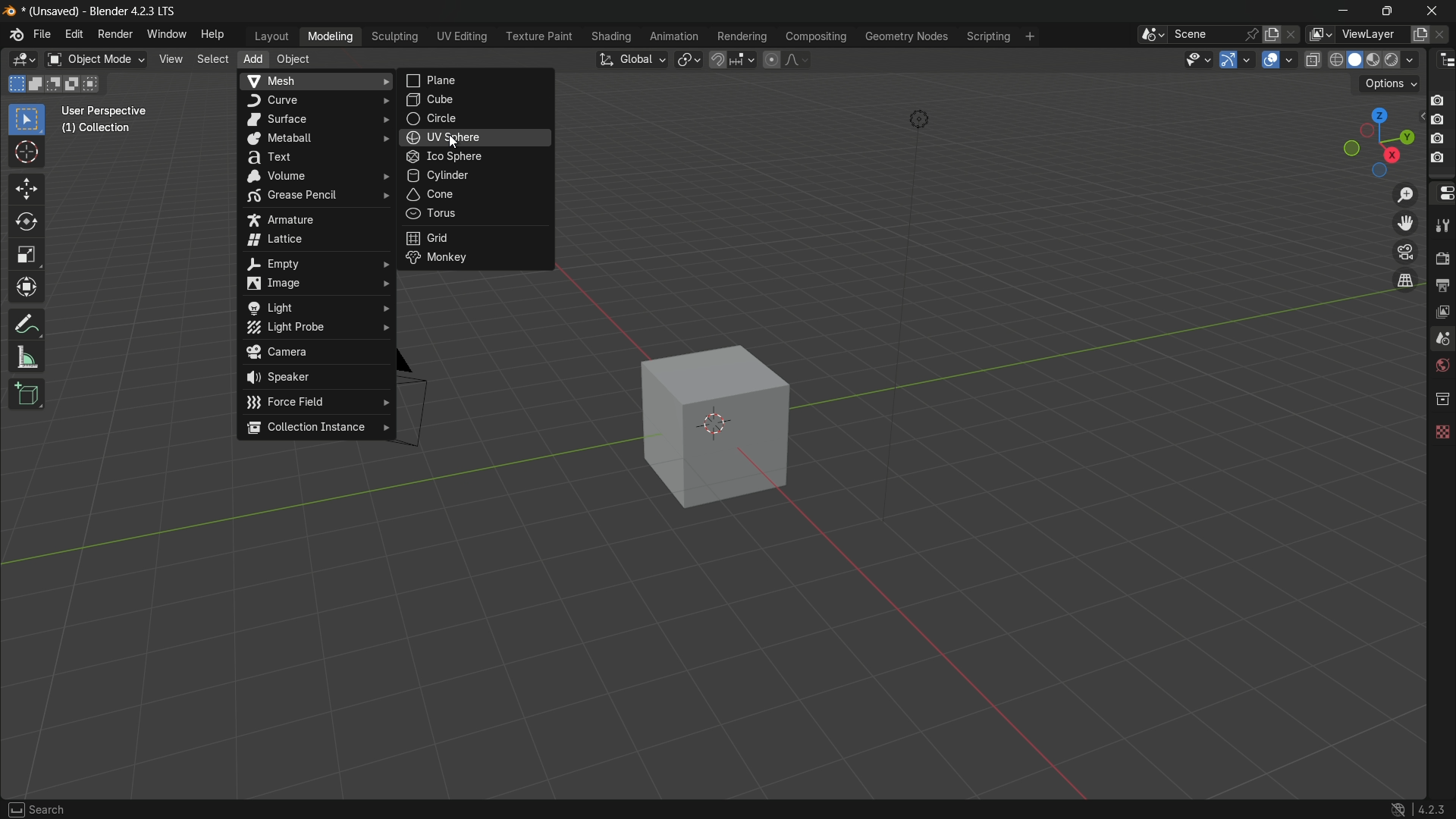  I want to click on new scene, so click(1276, 34).